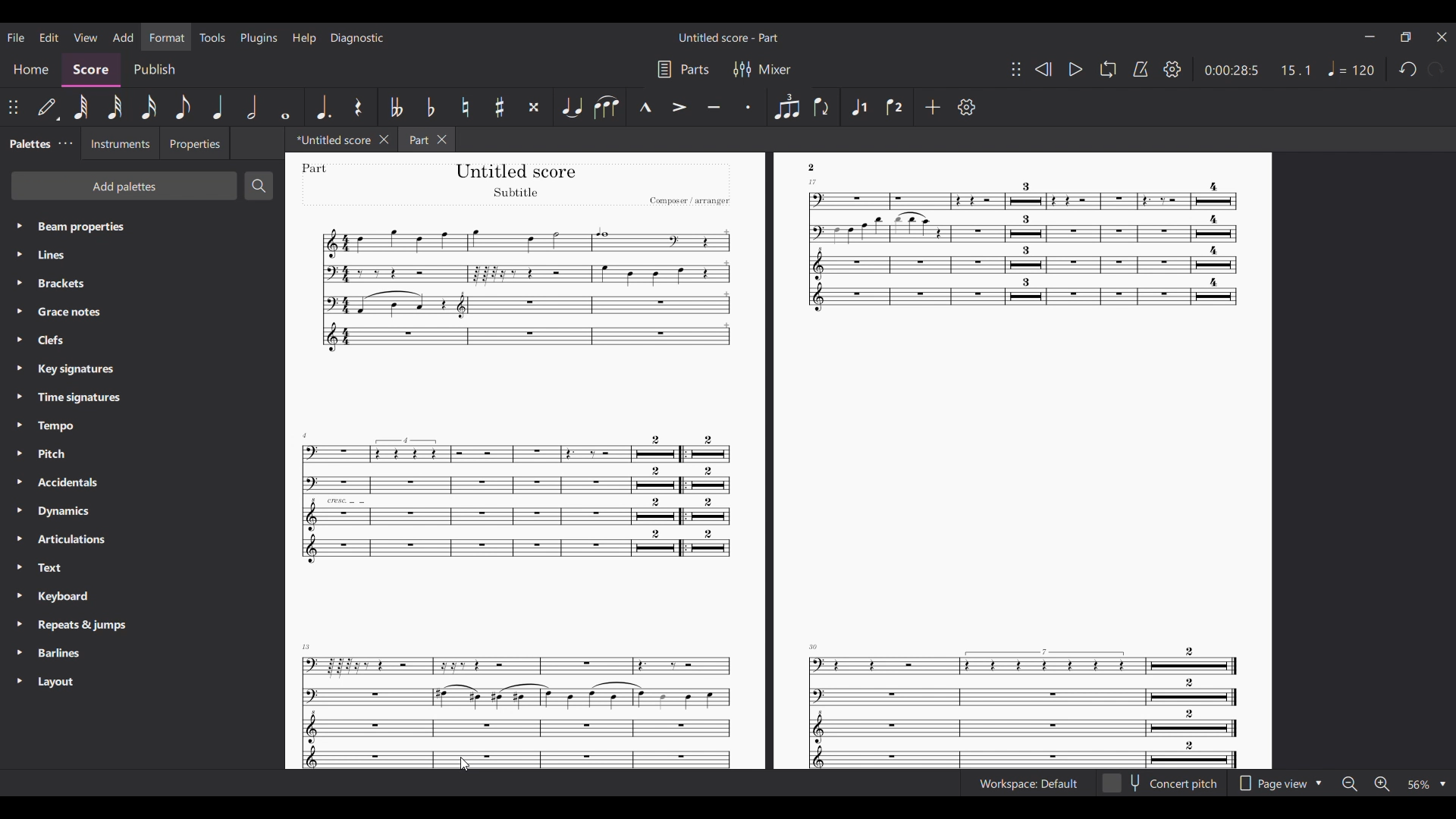  What do you see at coordinates (123, 37) in the screenshot?
I see `Add menu` at bounding box center [123, 37].